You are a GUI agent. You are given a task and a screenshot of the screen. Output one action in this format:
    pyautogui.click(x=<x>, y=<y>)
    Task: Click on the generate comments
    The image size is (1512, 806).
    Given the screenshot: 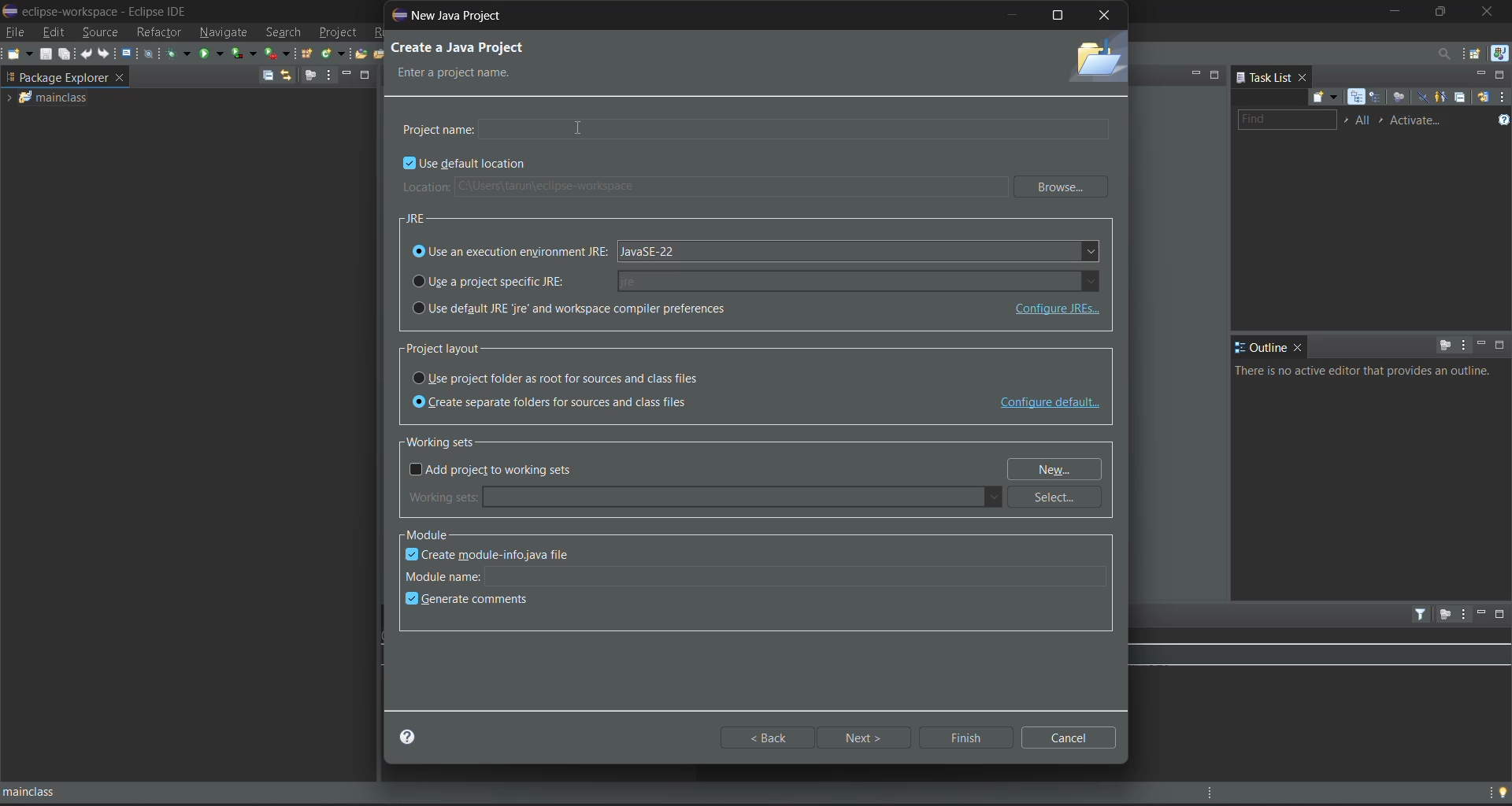 What is the action you would take?
    pyautogui.click(x=472, y=600)
    